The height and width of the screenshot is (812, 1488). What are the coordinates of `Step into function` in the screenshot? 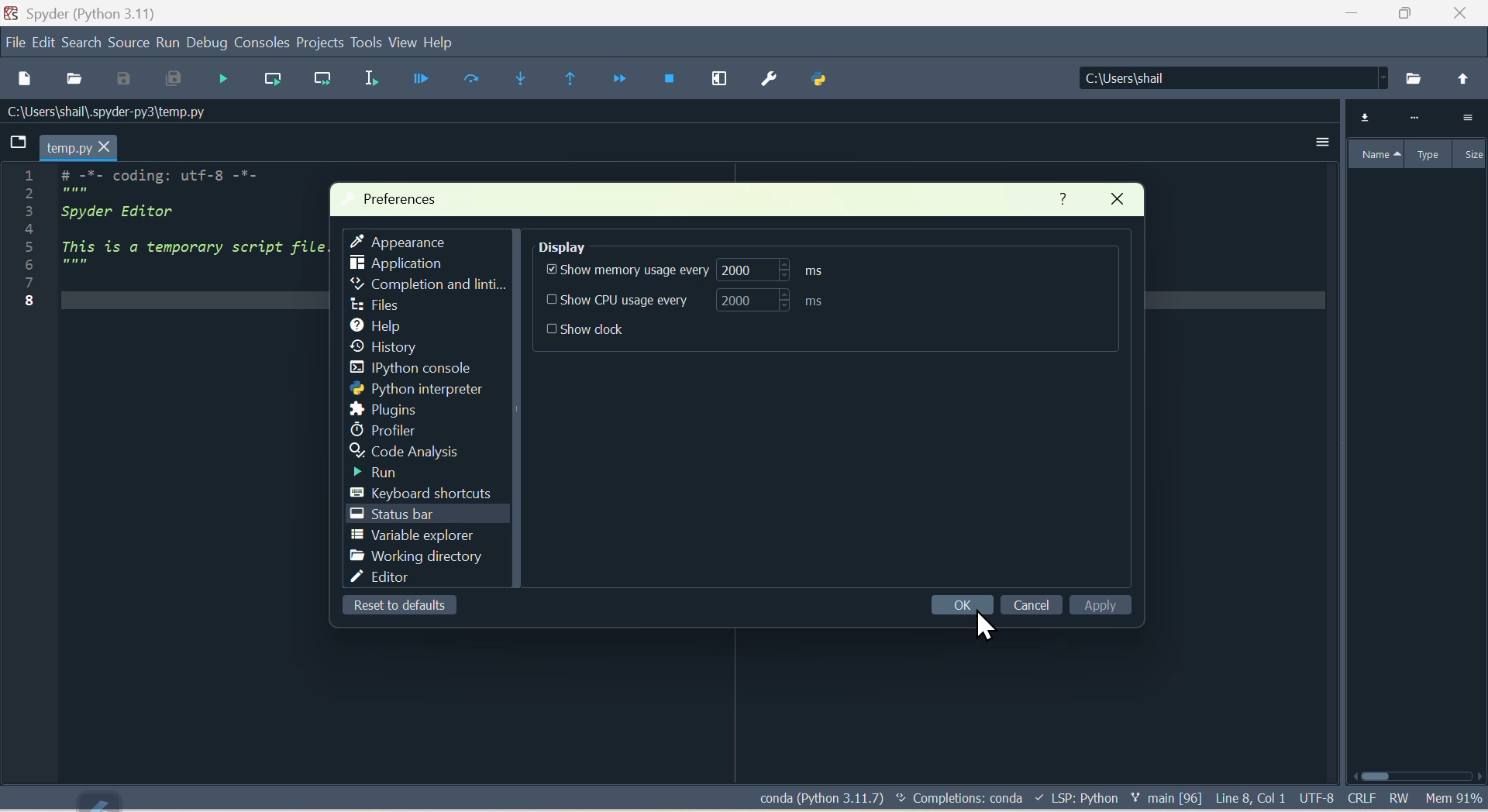 It's located at (517, 75).